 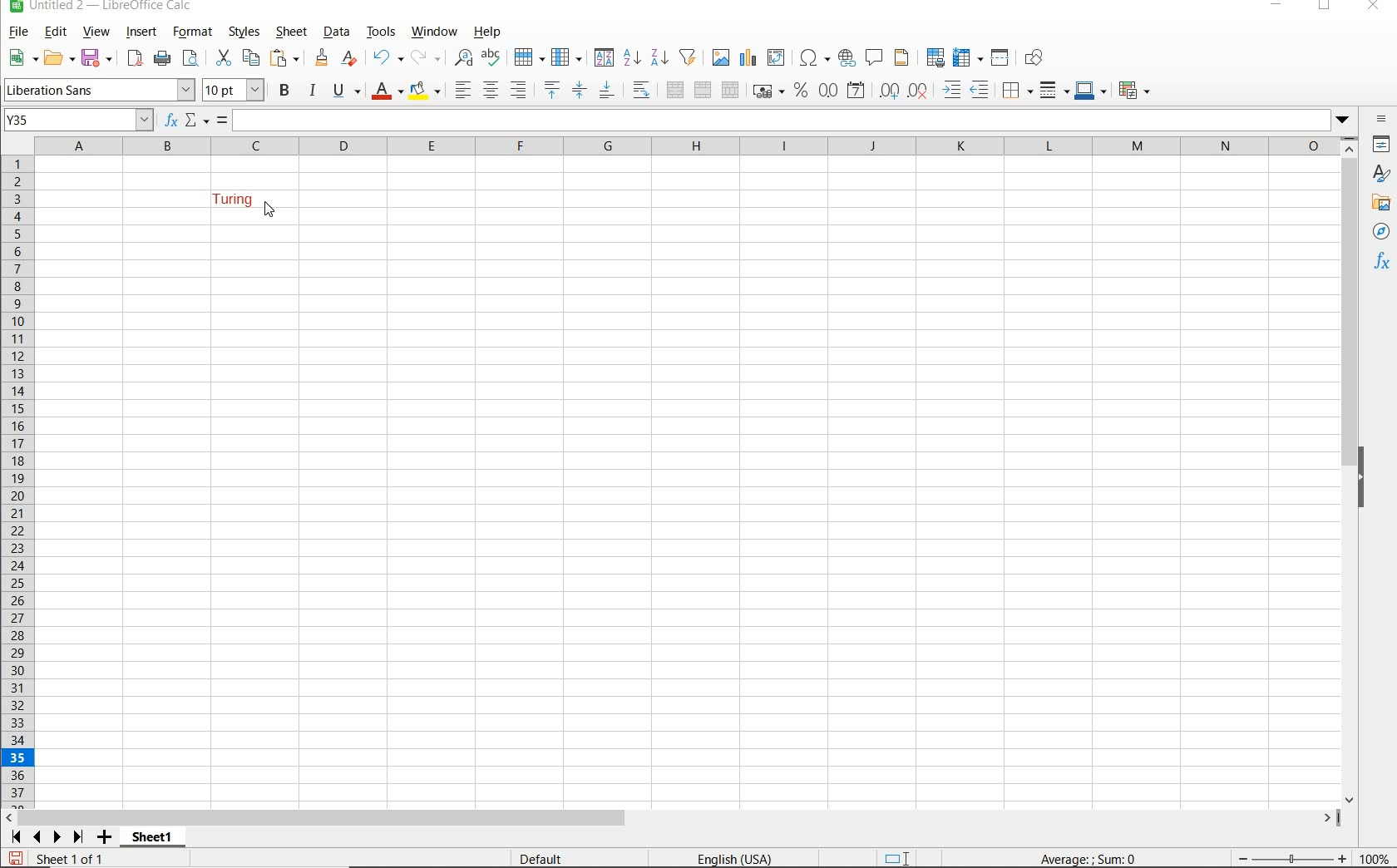 I want to click on EXPORT DIRECTLY AS PDF, so click(x=135, y=58).